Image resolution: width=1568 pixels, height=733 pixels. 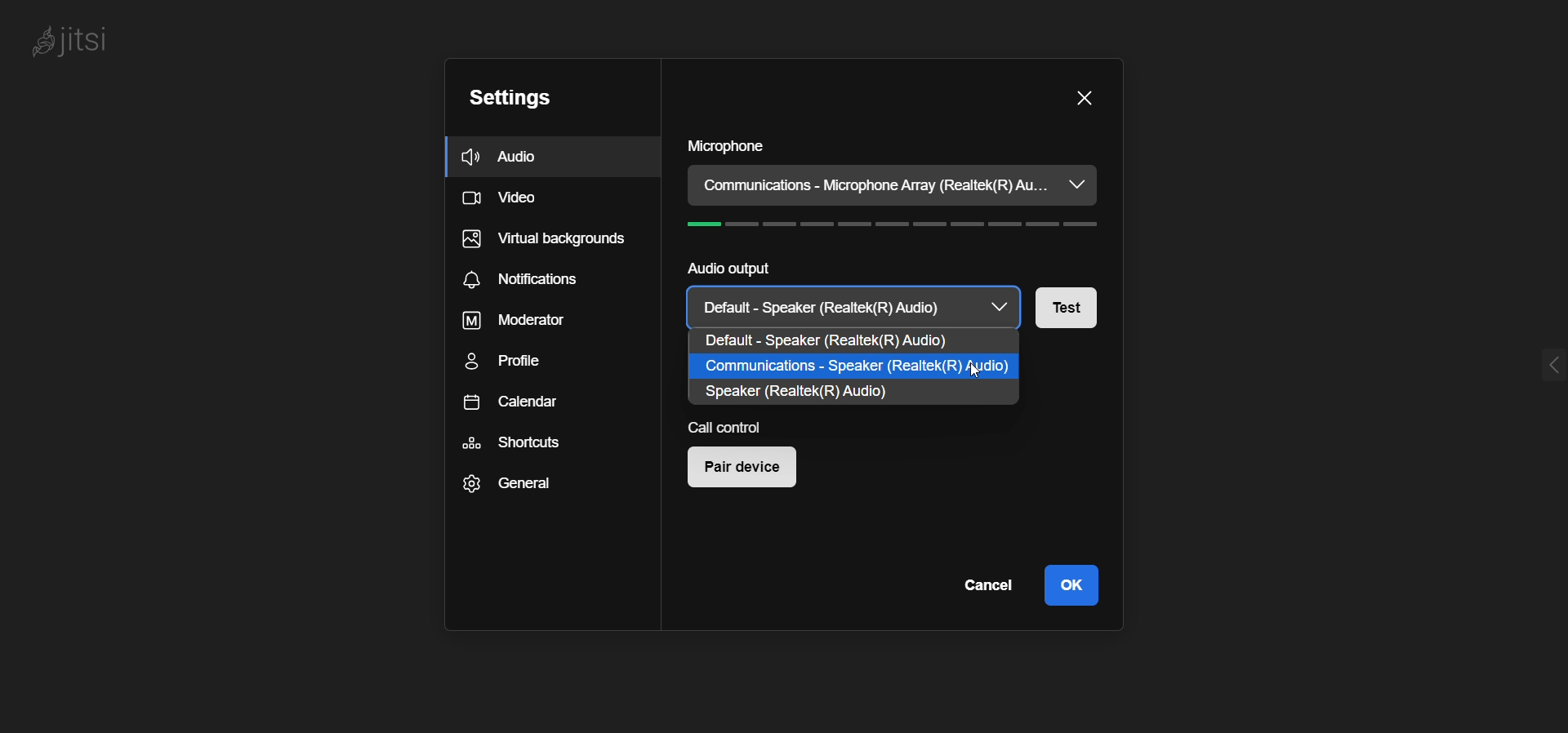 What do you see at coordinates (508, 322) in the screenshot?
I see `moderator` at bounding box center [508, 322].